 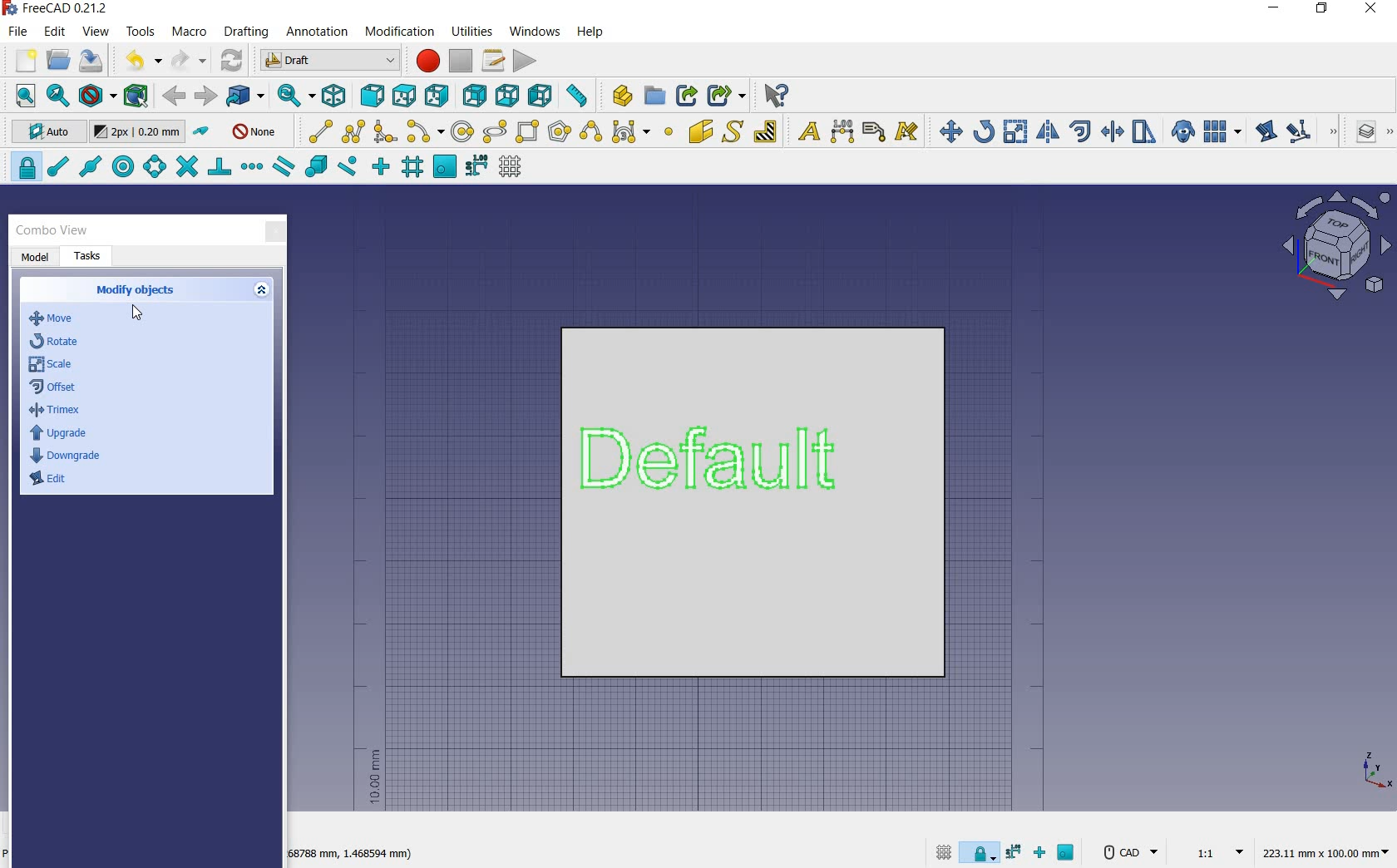 I want to click on model, so click(x=36, y=258).